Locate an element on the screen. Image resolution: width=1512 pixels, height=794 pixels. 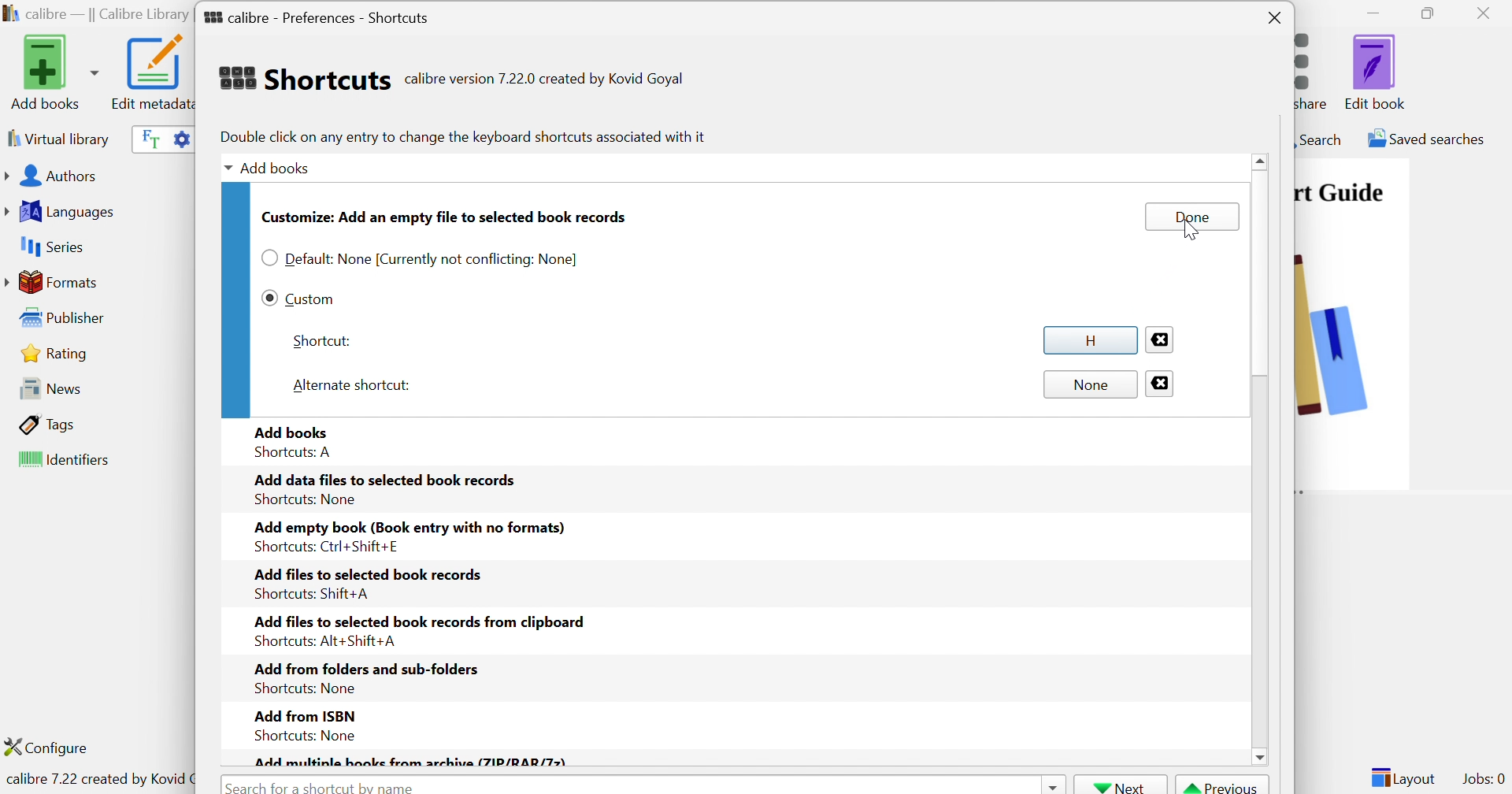
Rating is located at coordinates (57, 353).